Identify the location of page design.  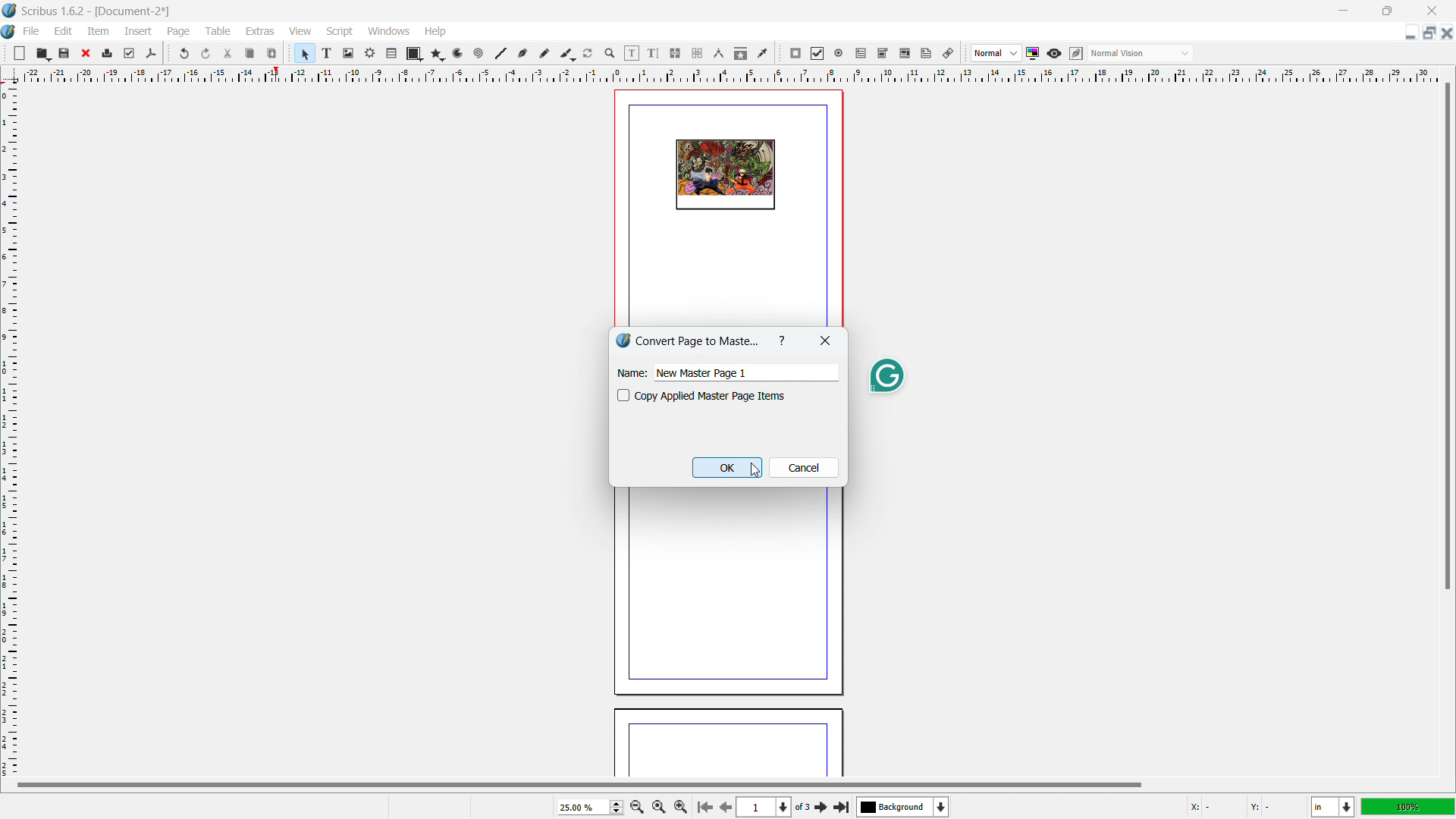
(725, 175).